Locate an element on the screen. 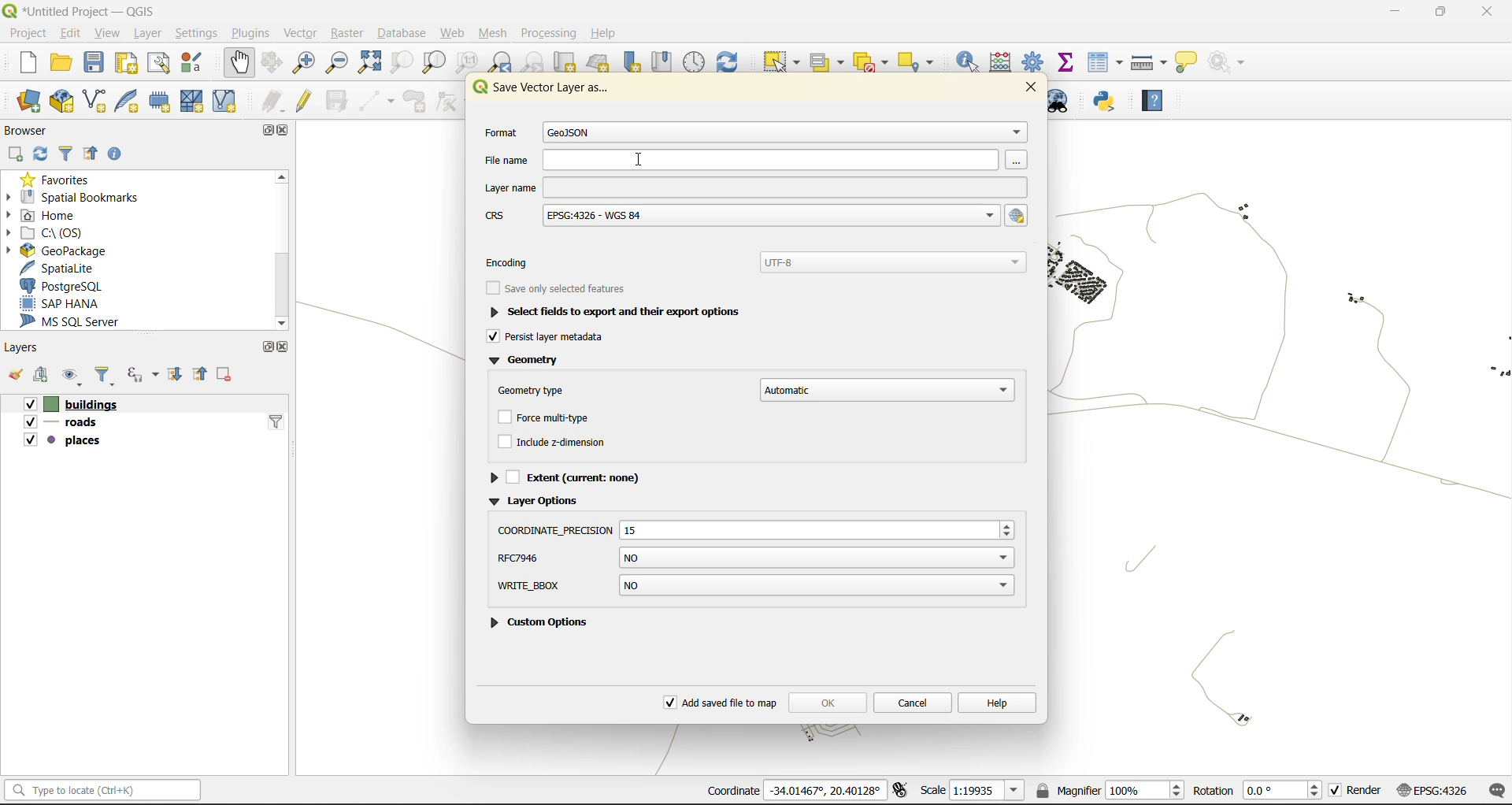 The width and height of the screenshot is (1512, 805). raster is located at coordinates (351, 33).